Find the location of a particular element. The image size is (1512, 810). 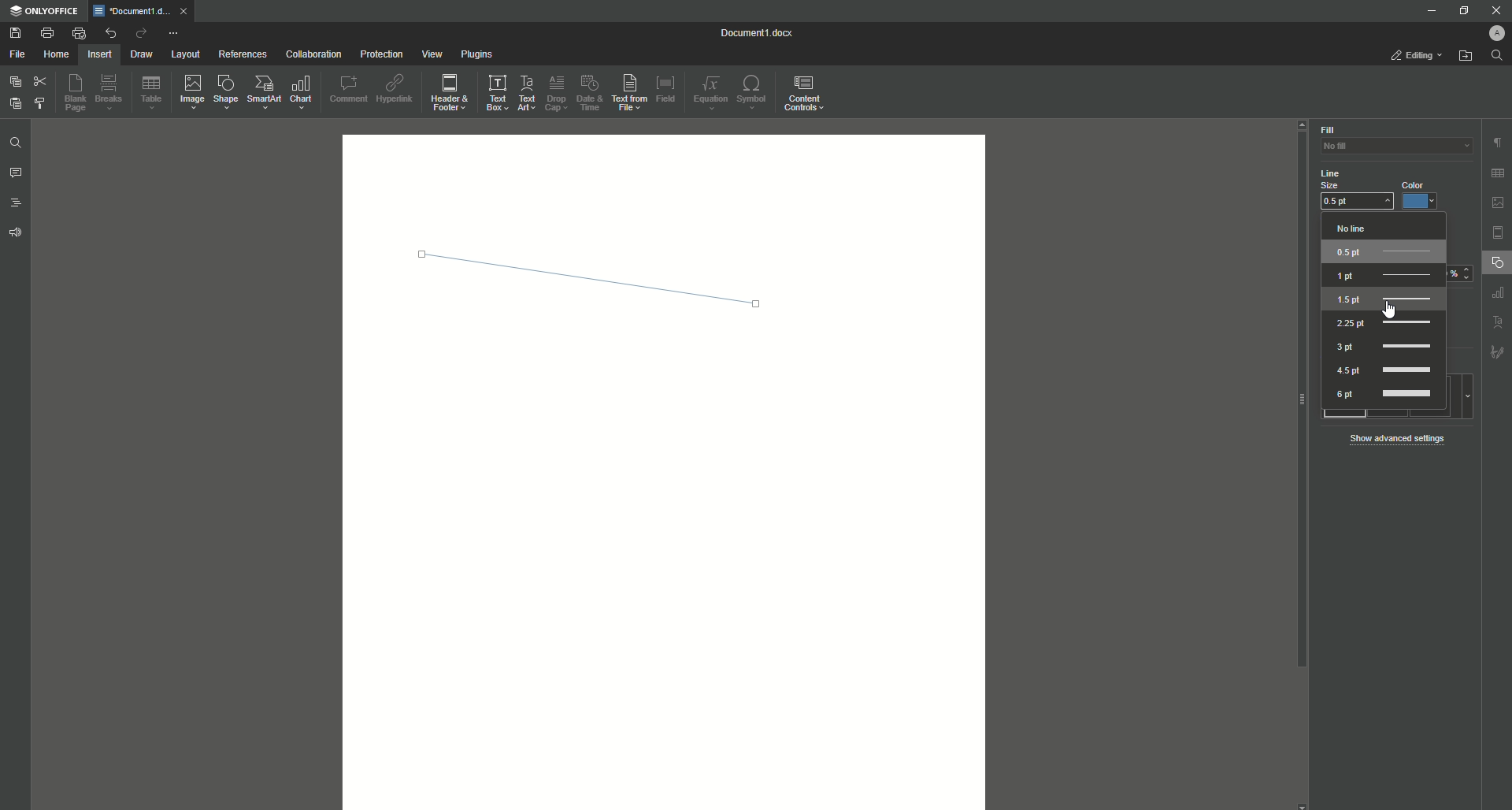

1 pt is located at coordinates (1384, 277).